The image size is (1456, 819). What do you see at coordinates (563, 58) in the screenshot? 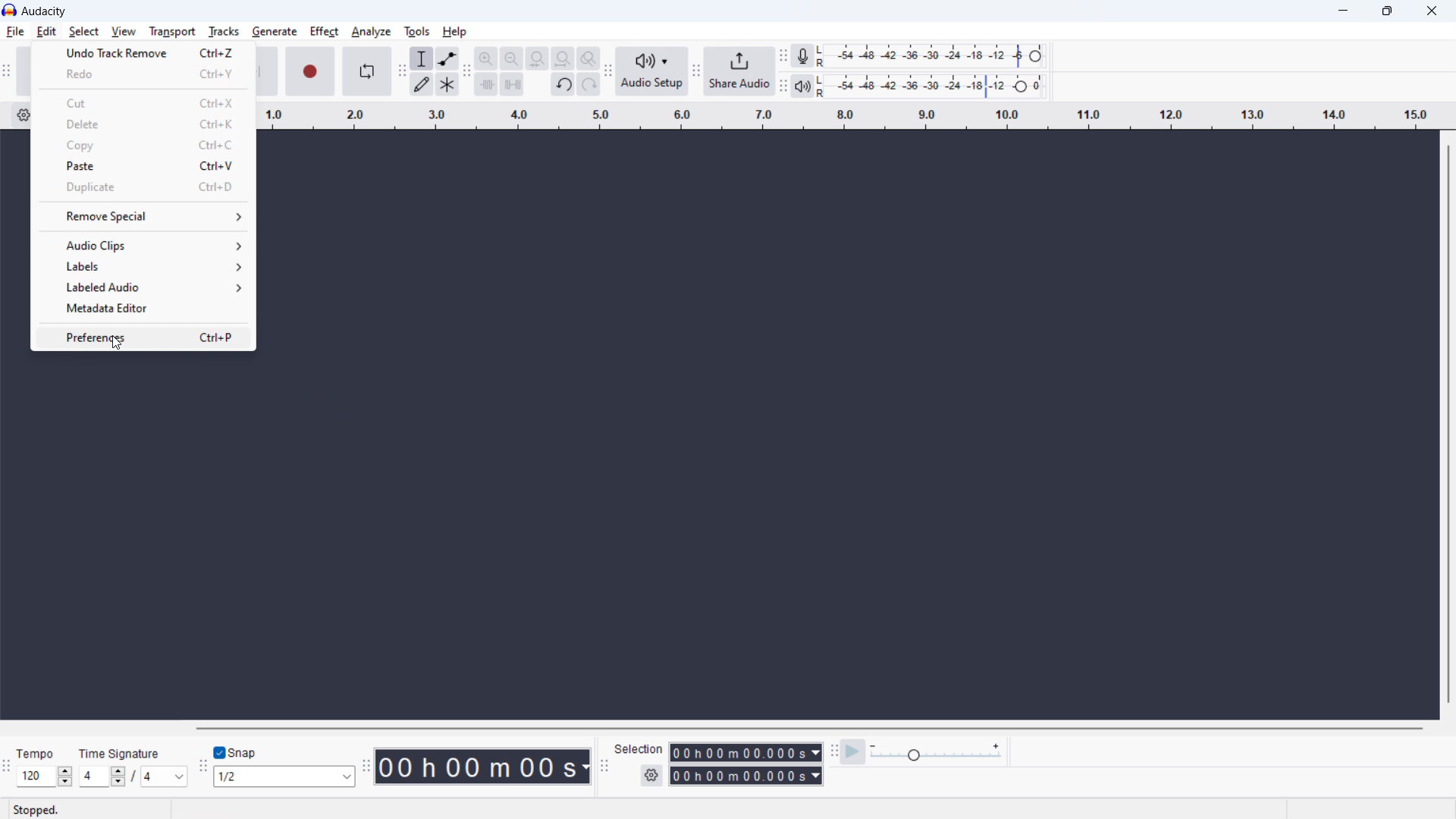
I see `fit project to width` at bounding box center [563, 58].